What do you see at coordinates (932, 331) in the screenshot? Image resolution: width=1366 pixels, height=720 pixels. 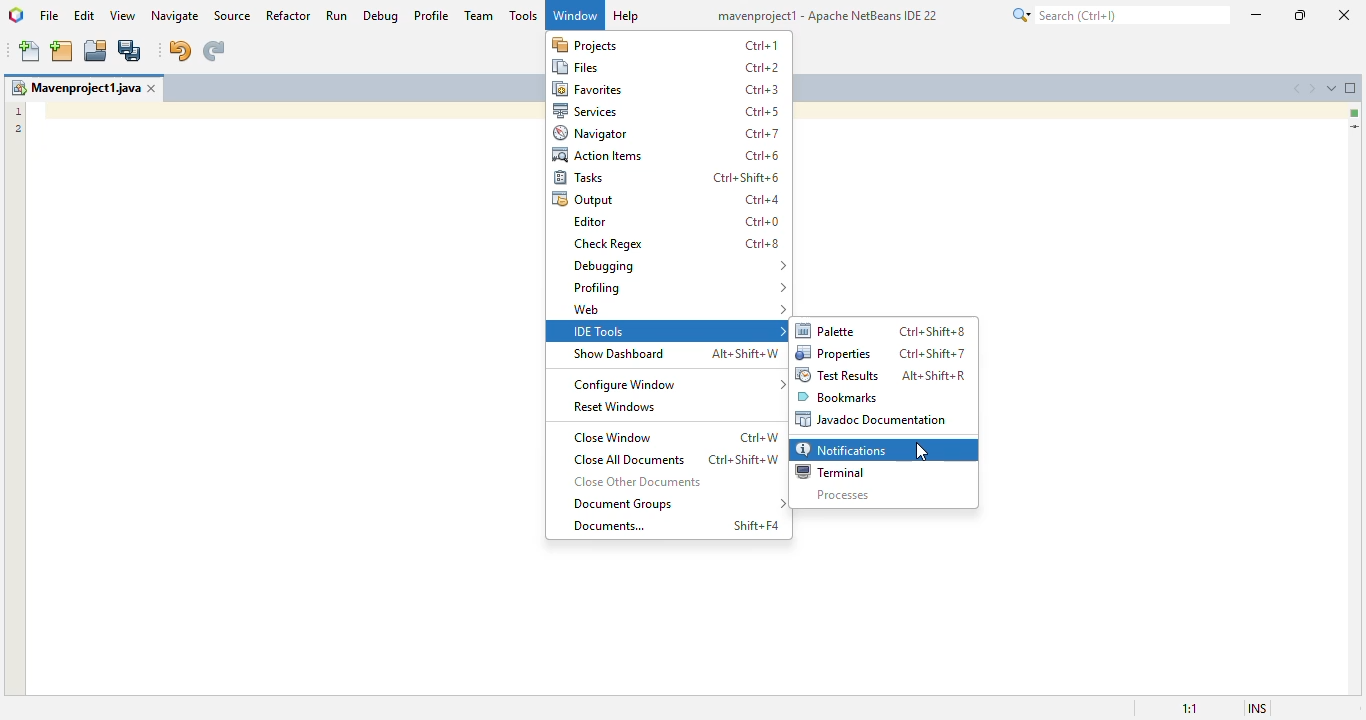 I see `shortcut for palette` at bounding box center [932, 331].